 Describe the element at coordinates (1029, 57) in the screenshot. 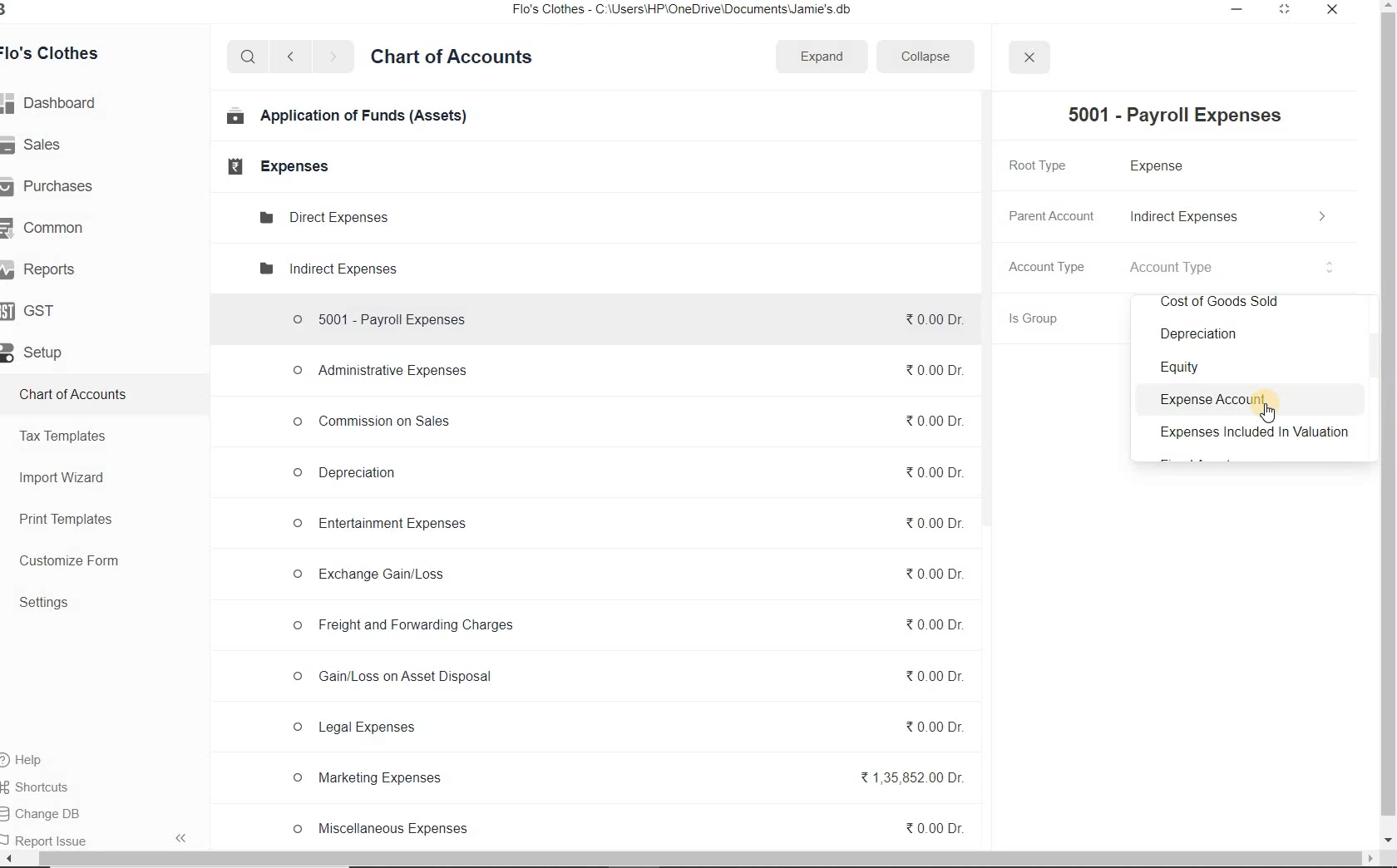

I see `close` at that location.